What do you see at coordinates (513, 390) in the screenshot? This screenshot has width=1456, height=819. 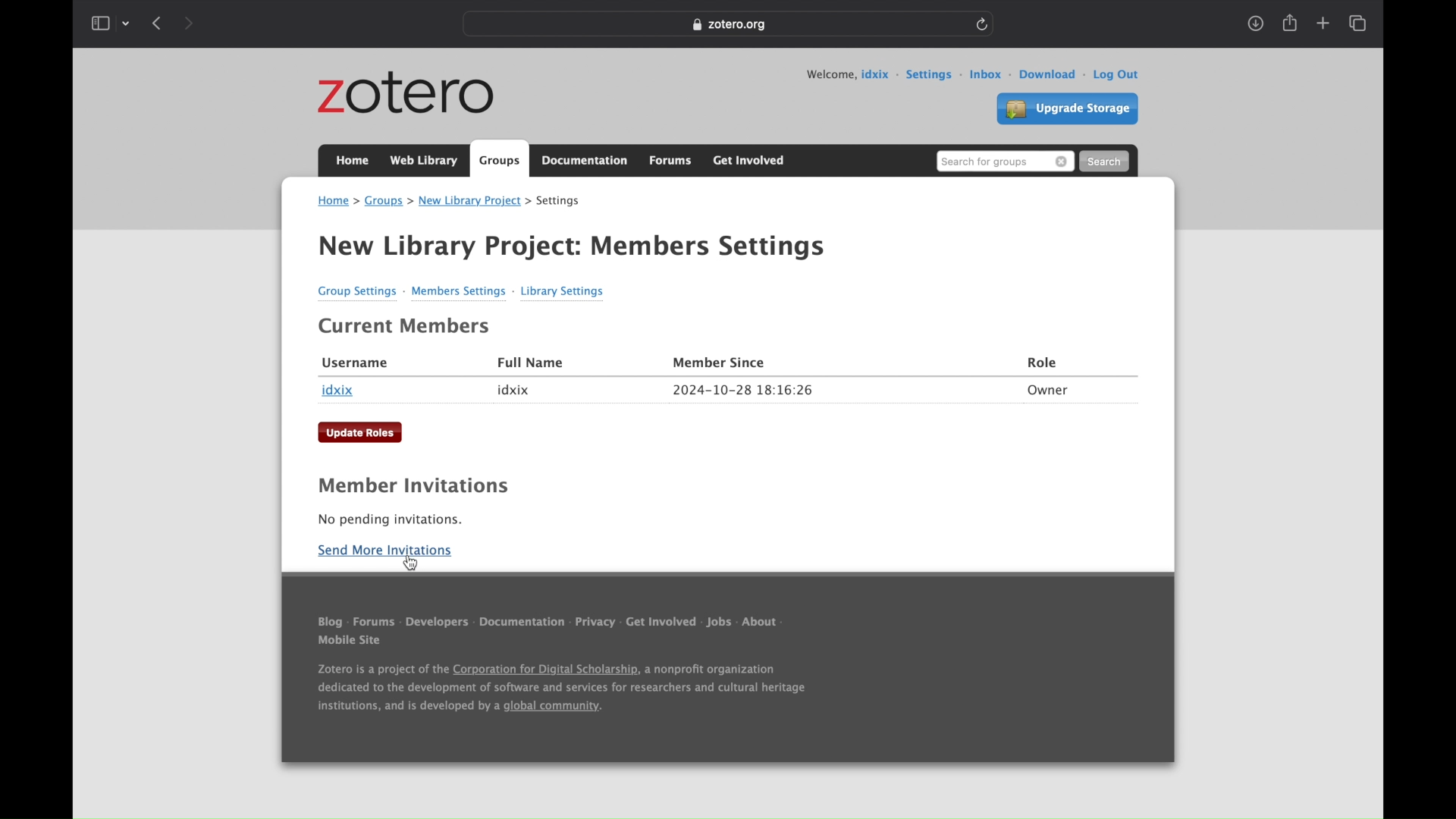 I see `idxix` at bounding box center [513, 390].